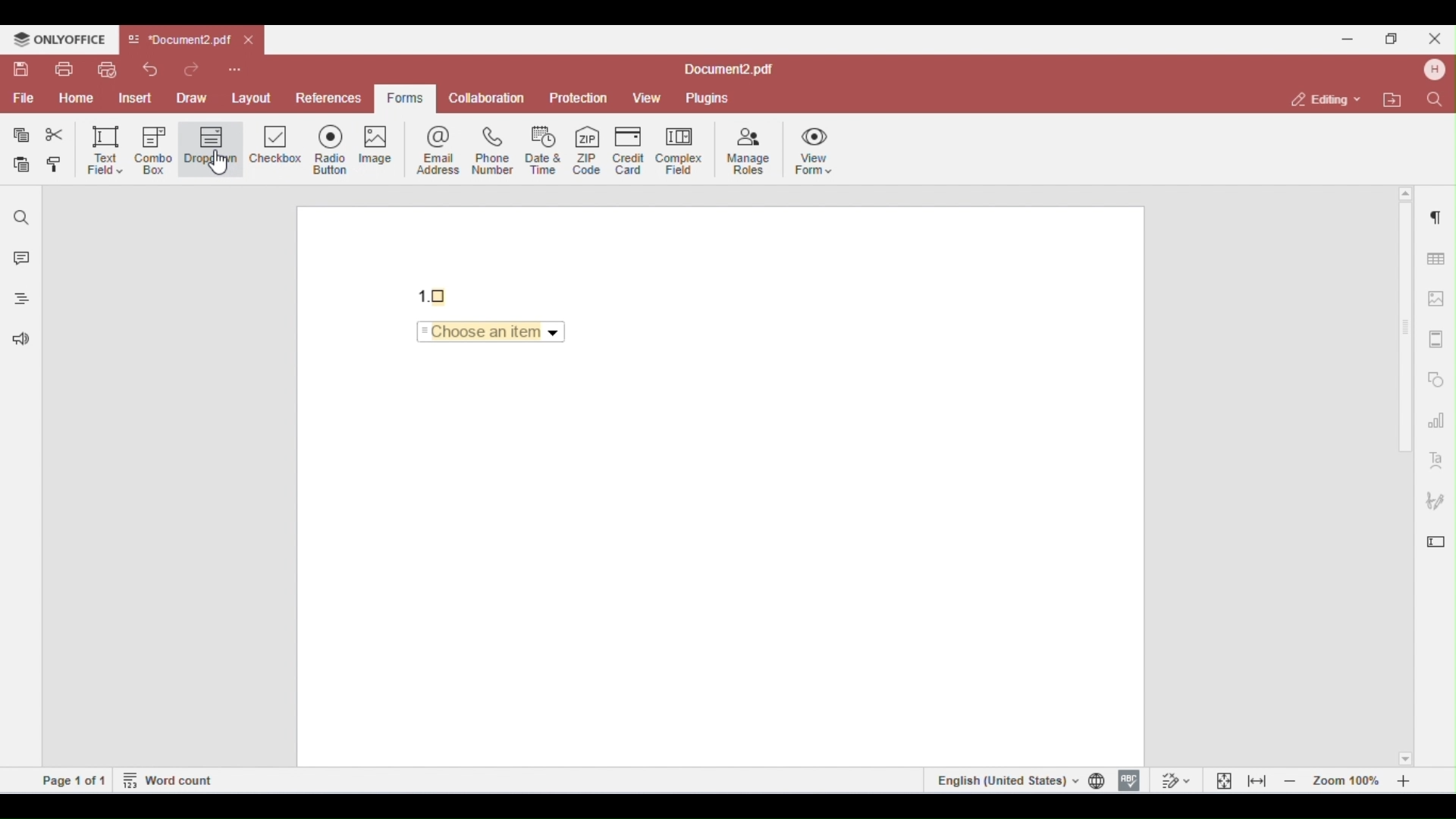 This screenshot has height=819, width=1456. I want to click on protection, so click(579, 99).